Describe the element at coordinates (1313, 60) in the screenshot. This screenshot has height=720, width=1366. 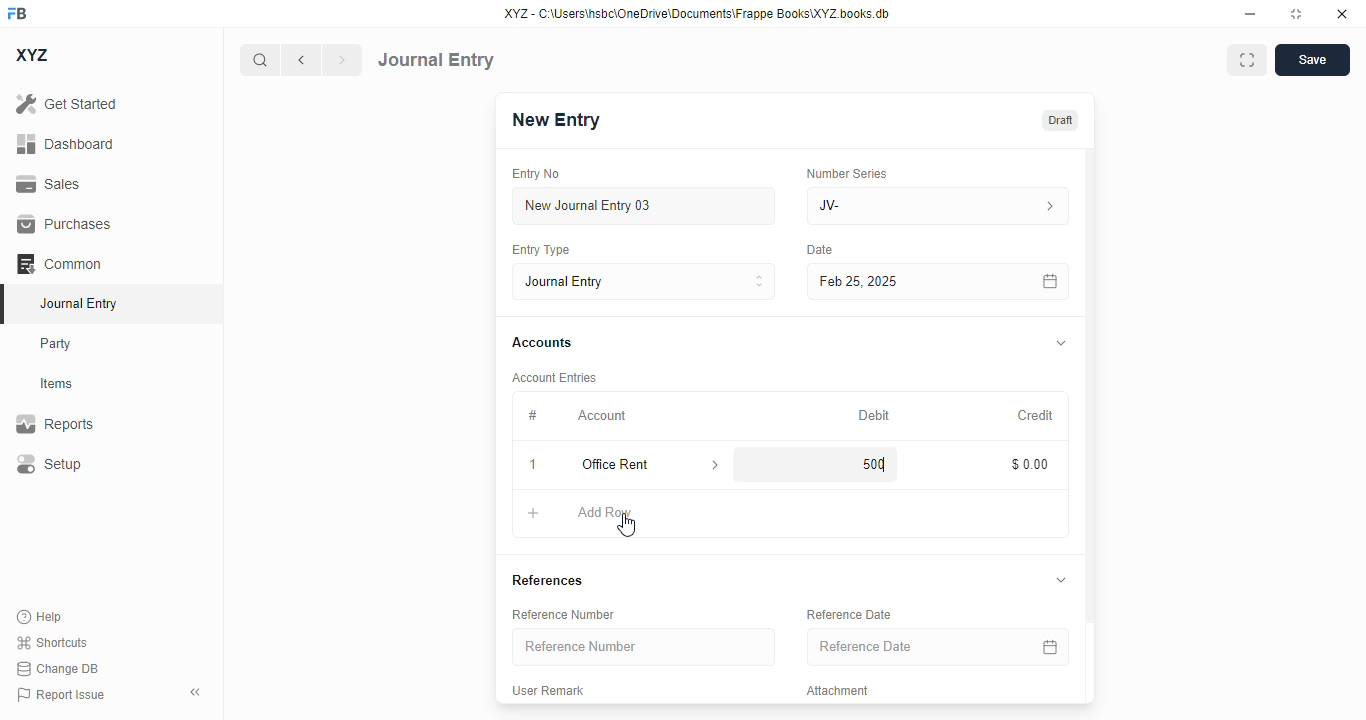
I see `save` at that location.